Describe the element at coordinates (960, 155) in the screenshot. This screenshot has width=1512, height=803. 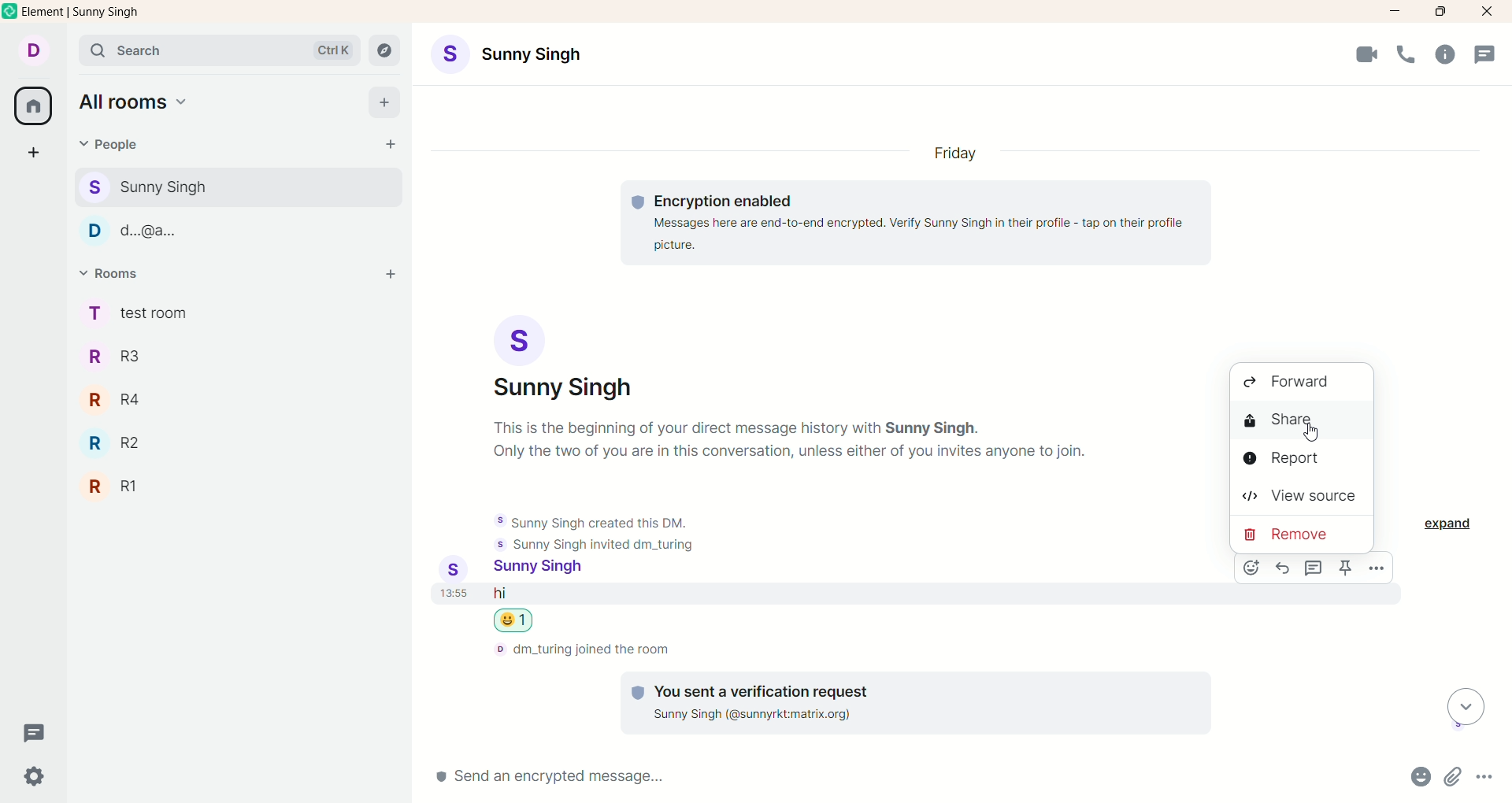
I see `day` at that location.